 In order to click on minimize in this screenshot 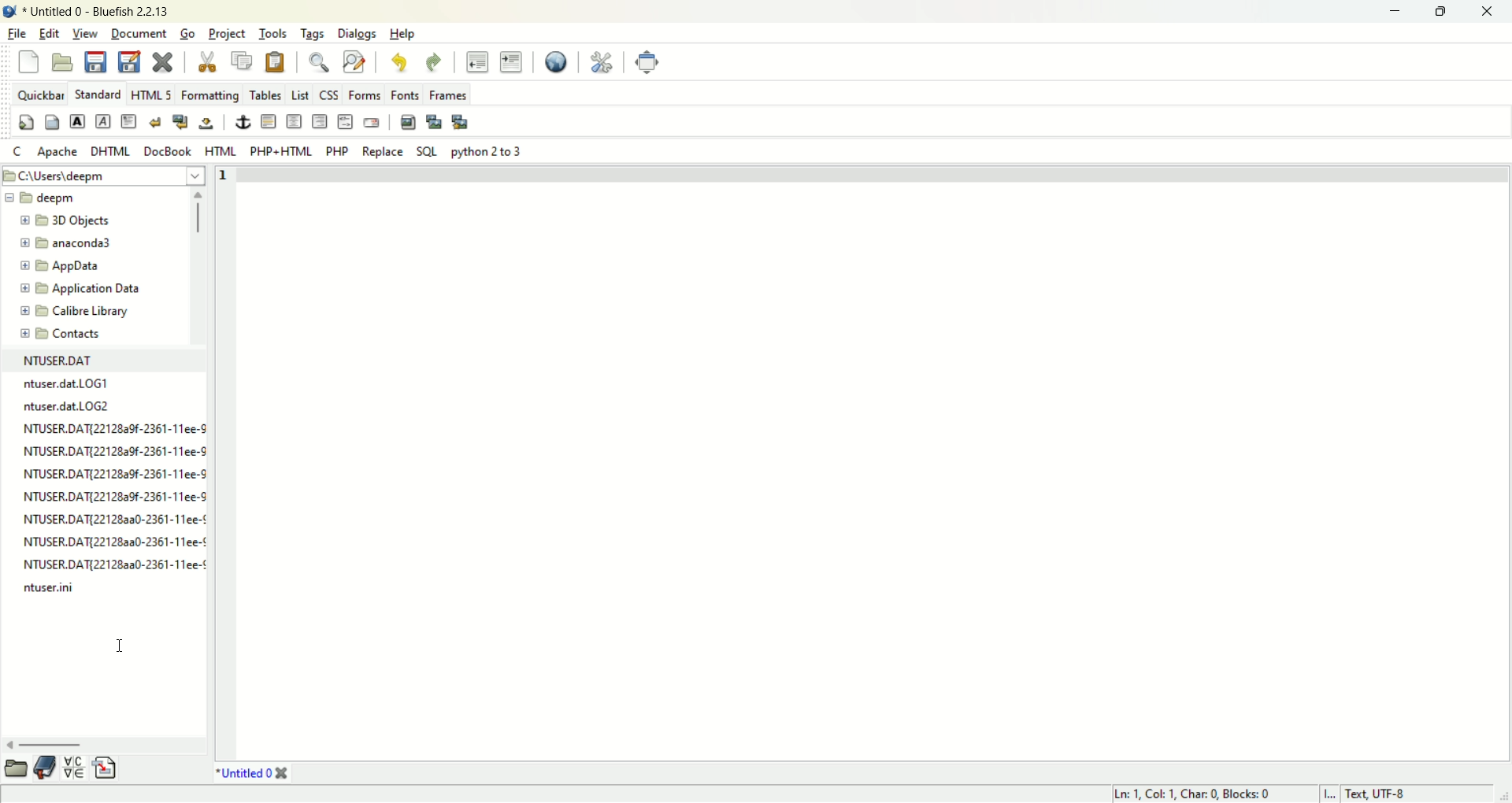, I will do `click(1399, 9)`.